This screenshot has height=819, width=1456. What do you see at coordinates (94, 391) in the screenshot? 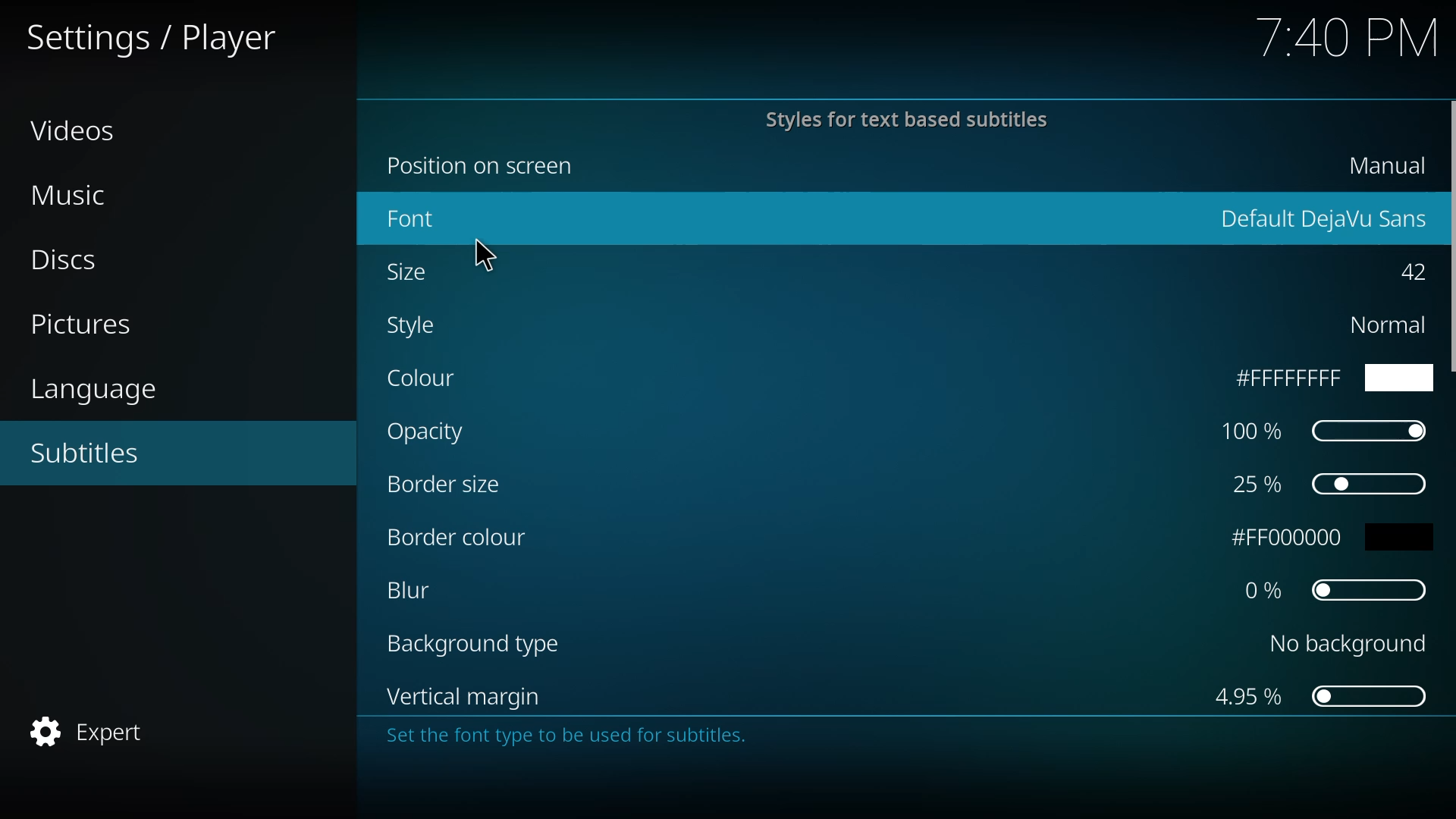
I see `language` at bounding box center [94, 391].